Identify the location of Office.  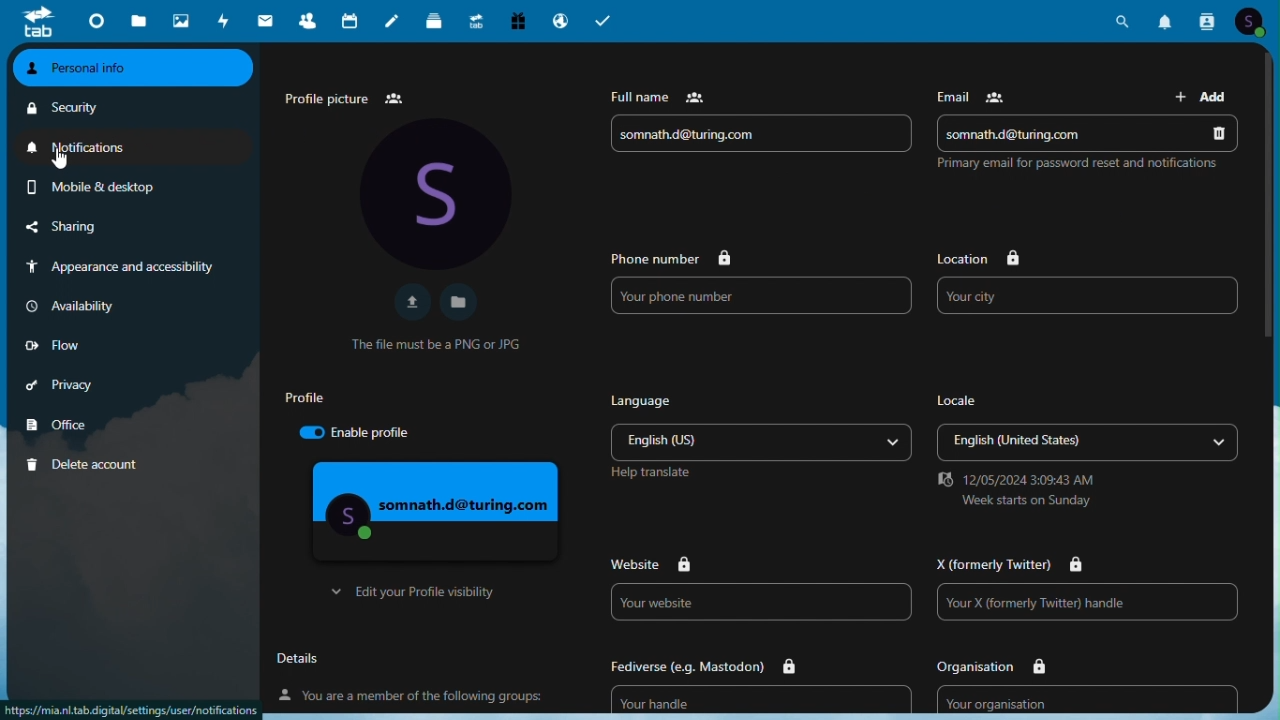
(64, 422).